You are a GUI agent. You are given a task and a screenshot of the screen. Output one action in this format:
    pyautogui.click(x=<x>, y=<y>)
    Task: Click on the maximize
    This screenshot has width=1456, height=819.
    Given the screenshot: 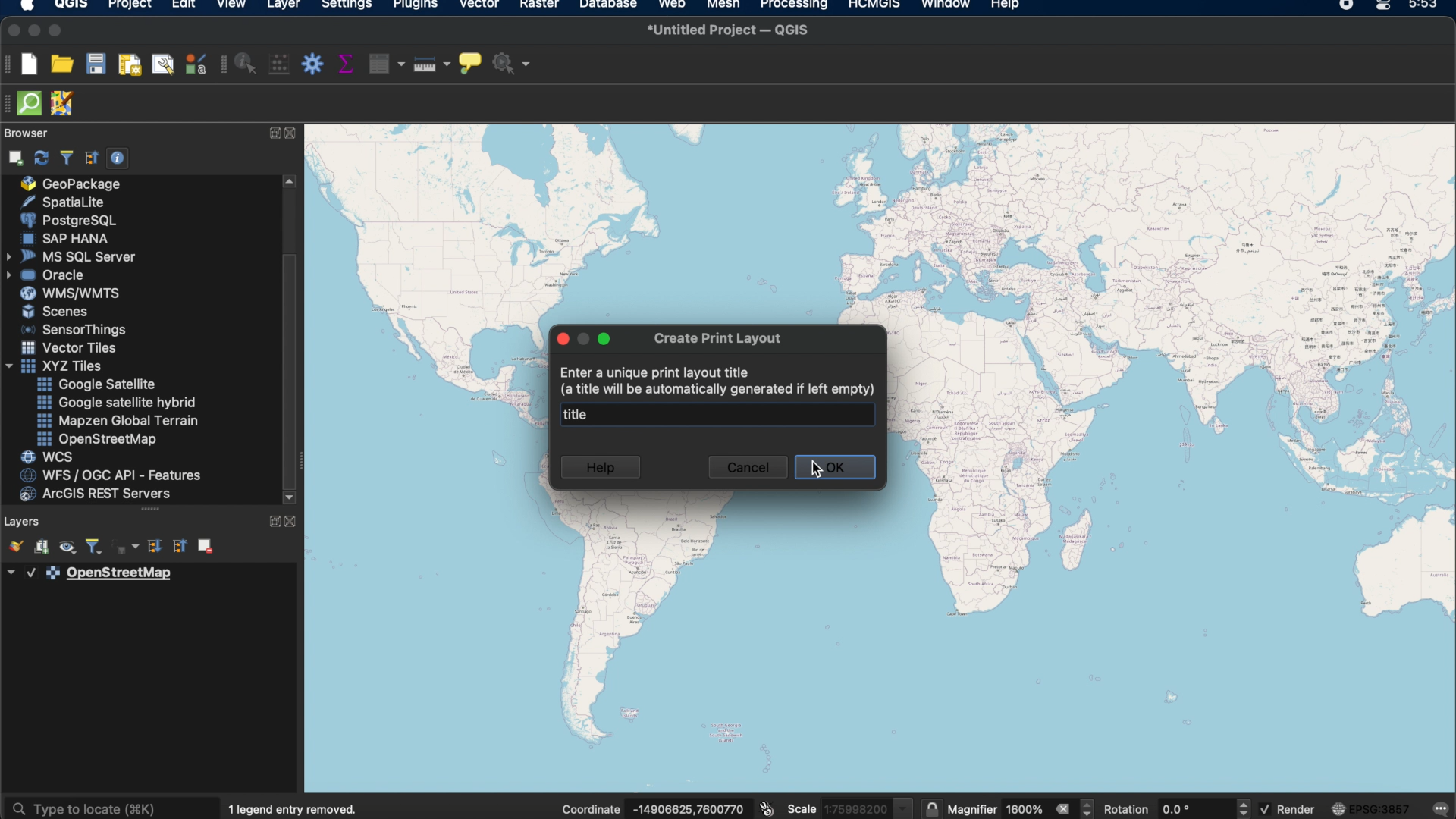 What is the action you would take?
    pyautogui.click(x=57, y=30)
    